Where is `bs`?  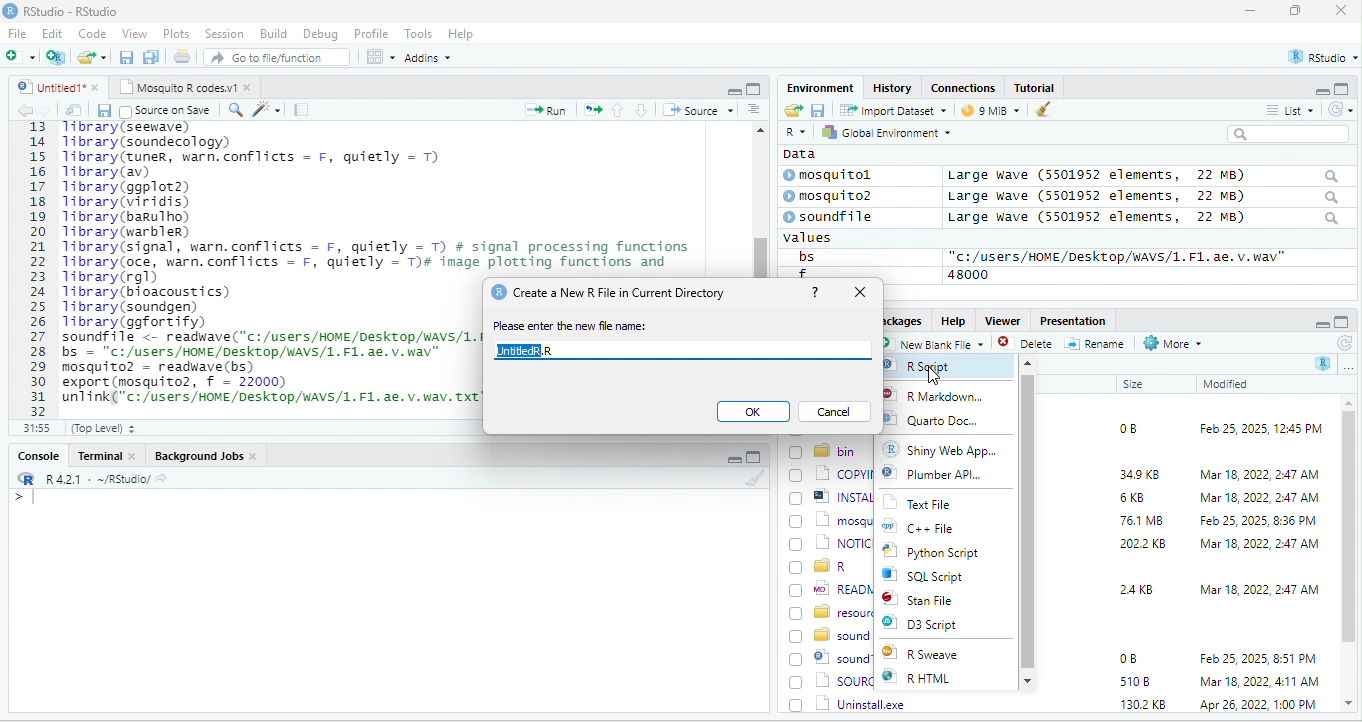
bs is located at coordinates (803, 256).